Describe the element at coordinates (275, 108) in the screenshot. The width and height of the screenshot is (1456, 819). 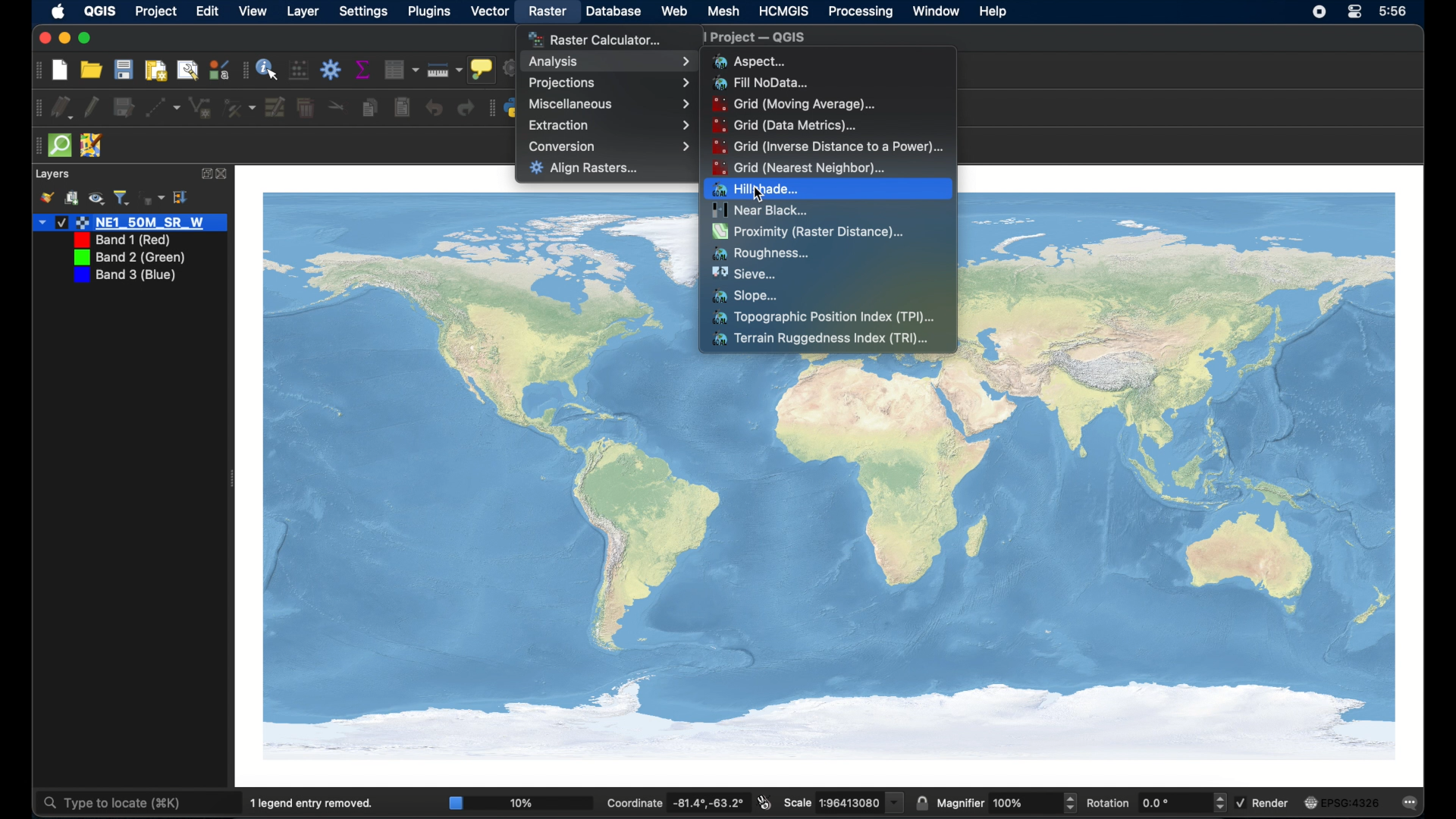
I see `modify attributes` at that location.